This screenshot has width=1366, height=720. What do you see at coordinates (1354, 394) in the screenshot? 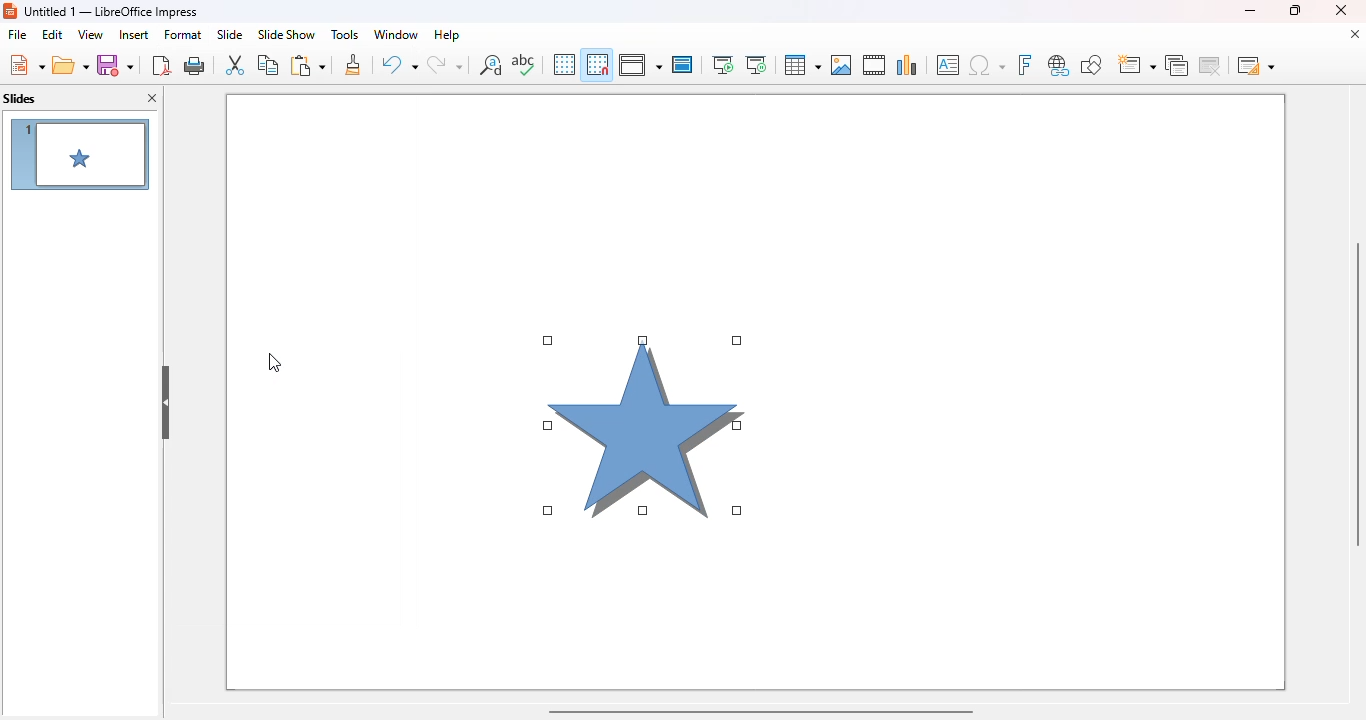
I see `vertical scroll bar` at bounding box center [1354, 394].